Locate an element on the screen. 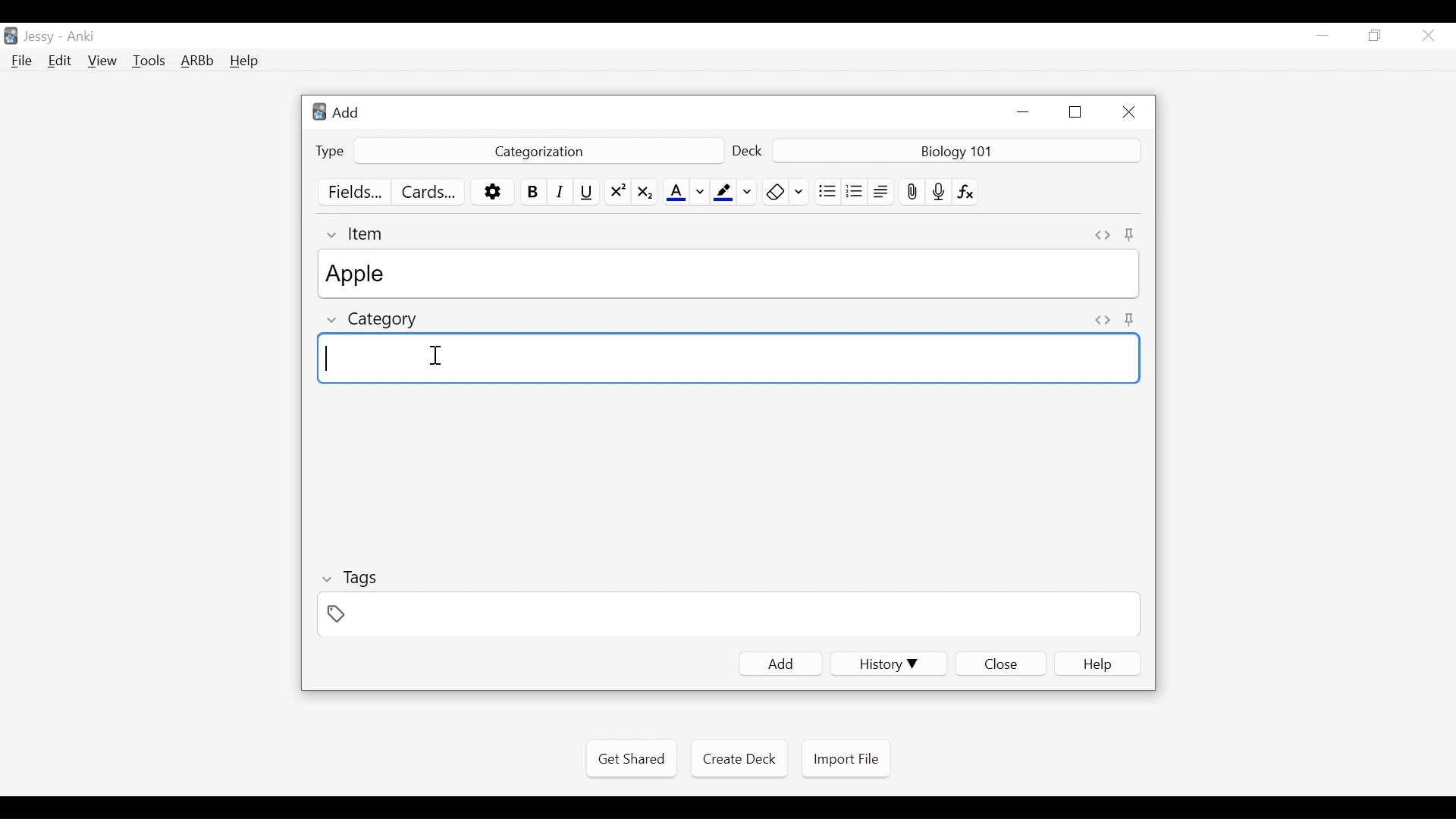  Type is located at coordinates (330, 152).